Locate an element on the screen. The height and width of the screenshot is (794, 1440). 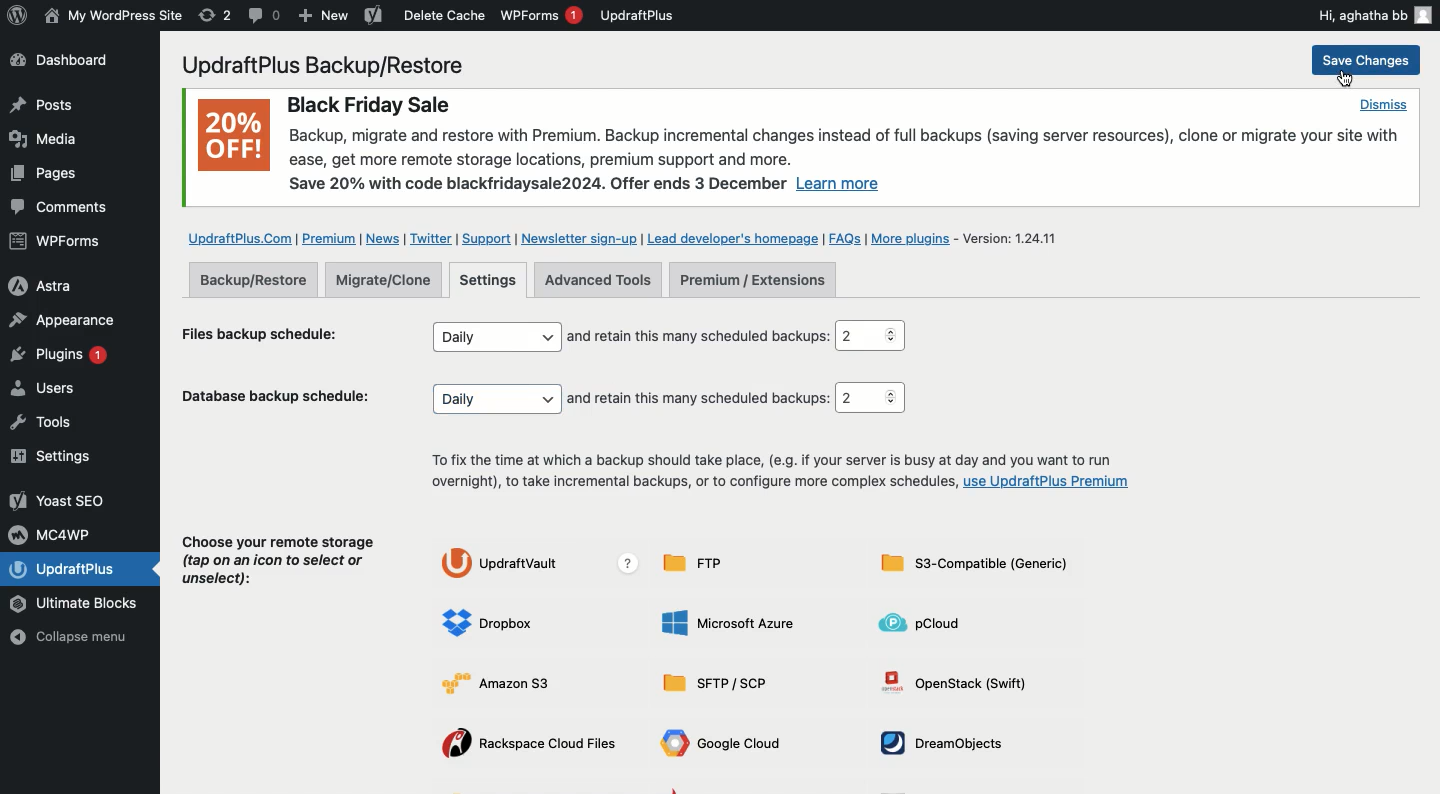
Revision is located at coordinates (215, 15).